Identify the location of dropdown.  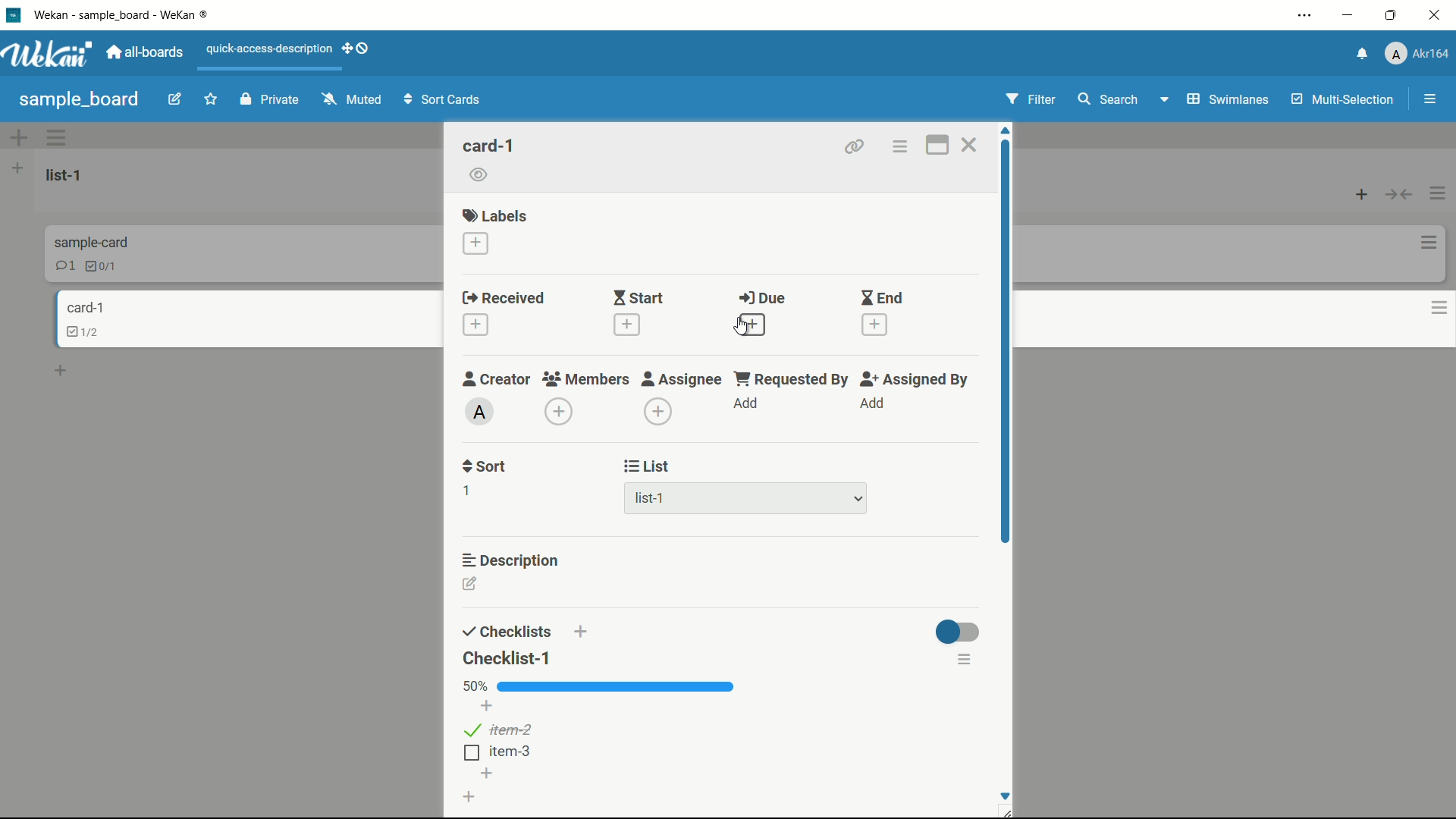
(858, 500).